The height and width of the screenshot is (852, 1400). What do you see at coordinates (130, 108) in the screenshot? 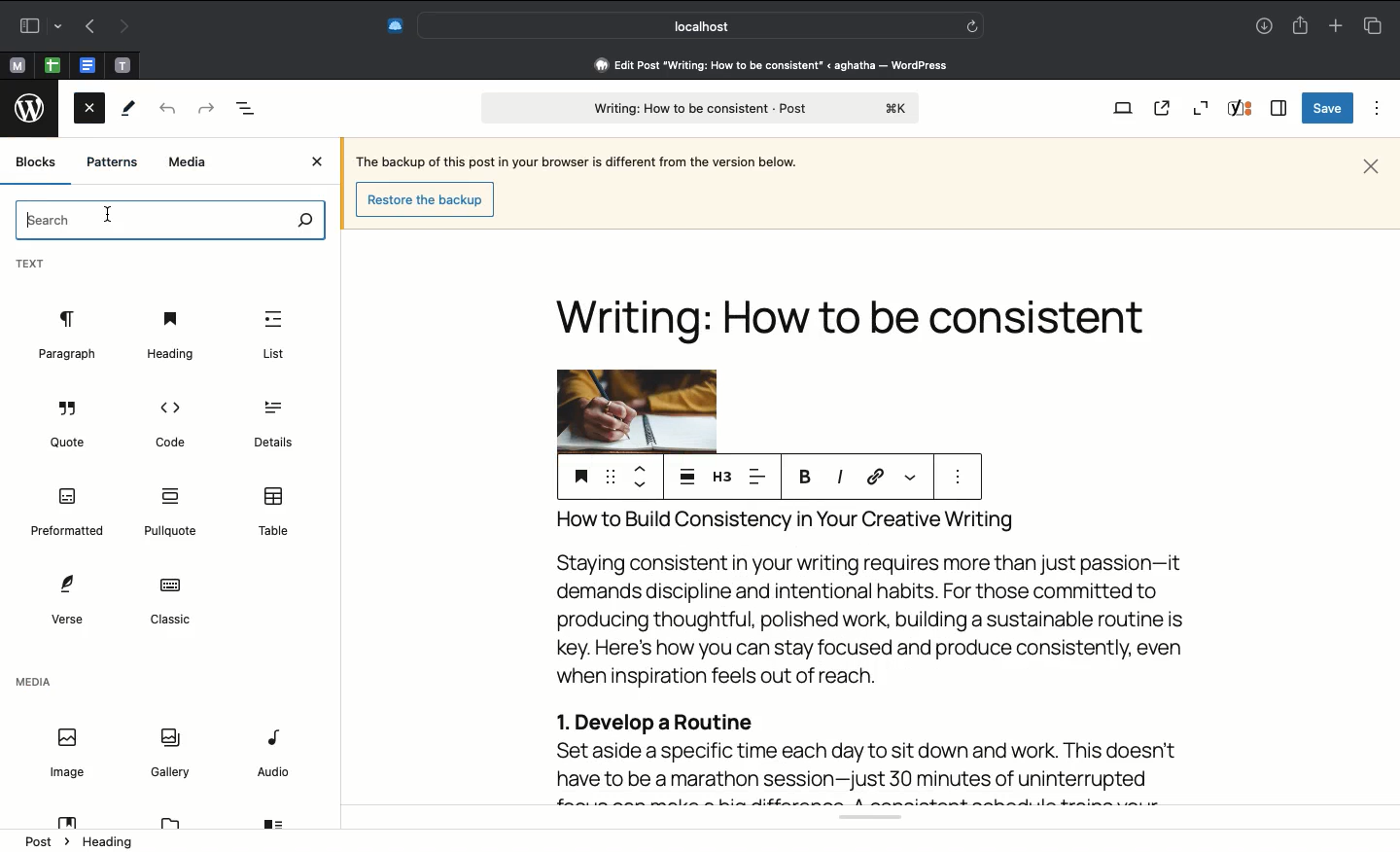
I see `Tools` at bounding box center [130, 108].